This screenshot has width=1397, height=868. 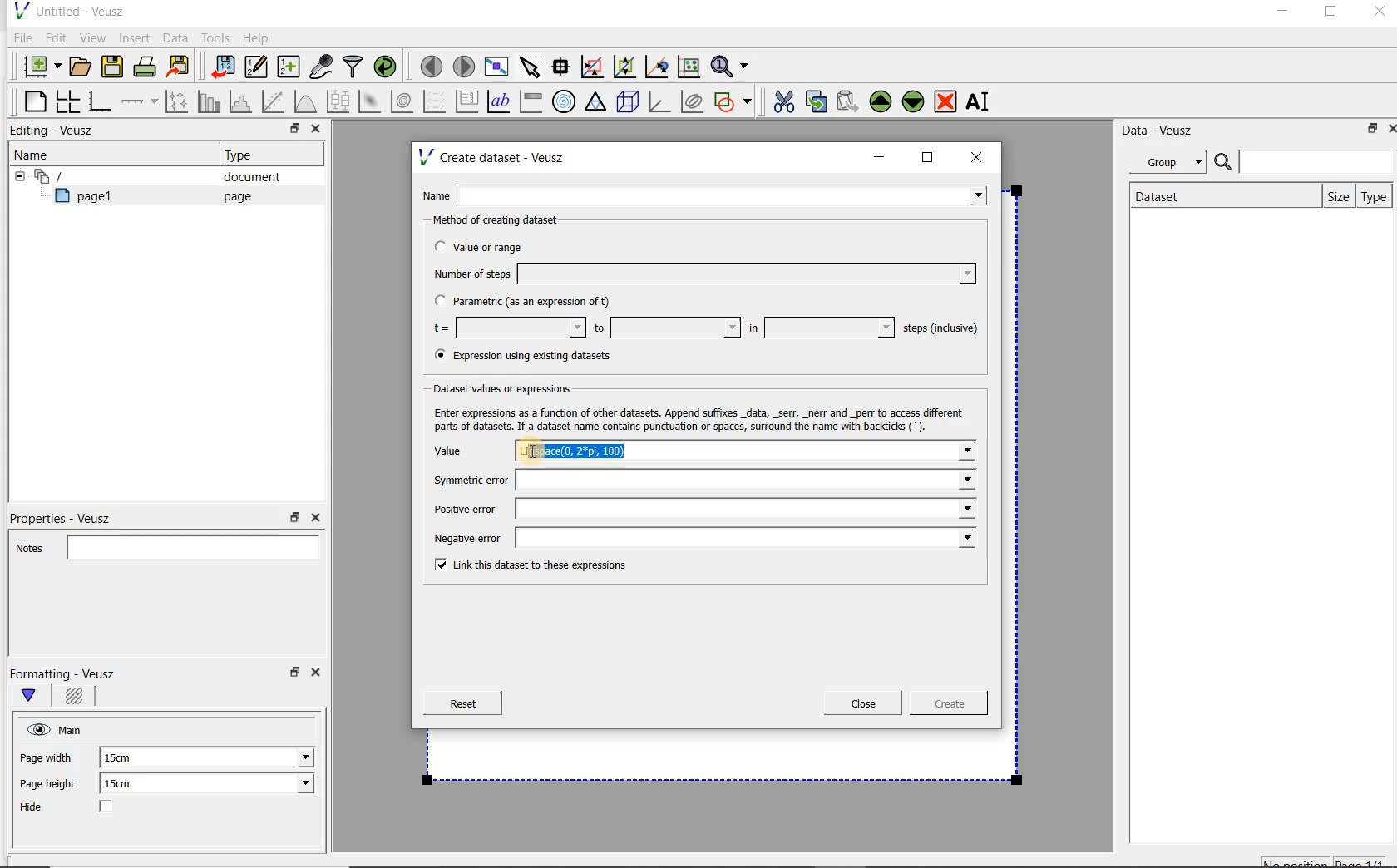 What do you see at coordinates (318, 675) in the screenshot?
I see `Close` at bounding box center [318, 675].